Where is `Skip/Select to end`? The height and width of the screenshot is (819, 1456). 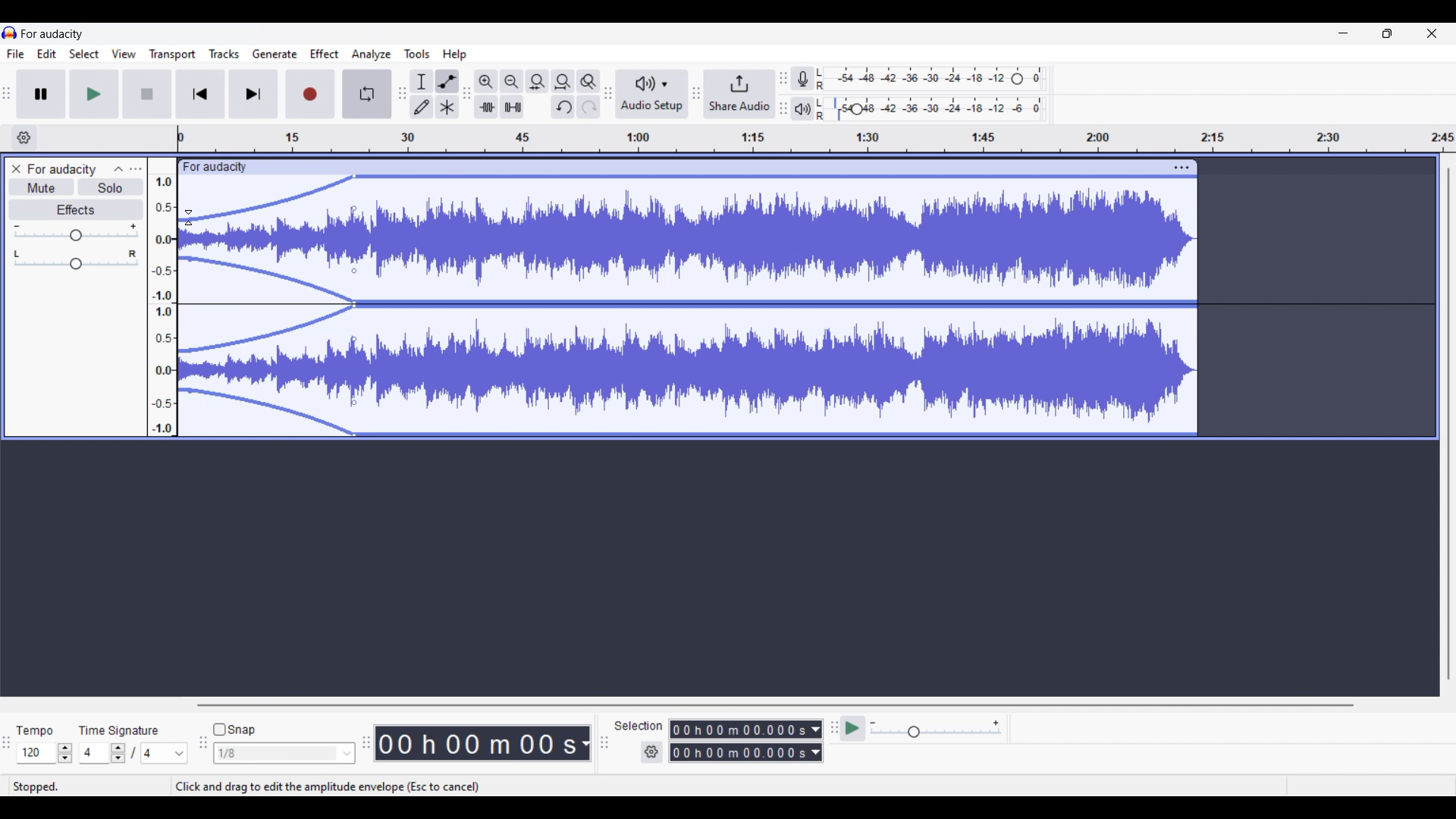
Skip/Select to end is located at coordinates (254, 94).